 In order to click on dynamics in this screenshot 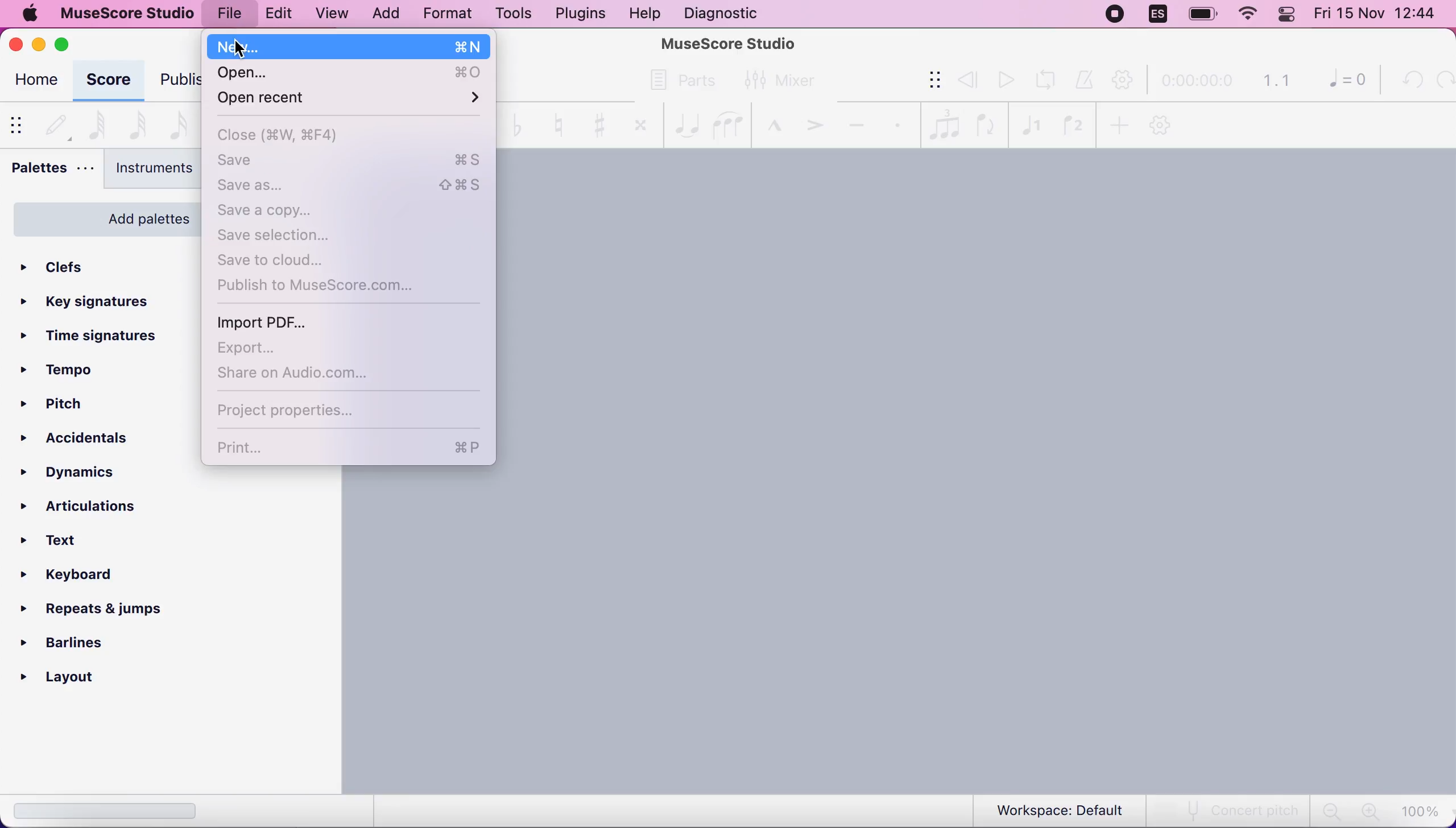, I will do `click(96, 471)`.